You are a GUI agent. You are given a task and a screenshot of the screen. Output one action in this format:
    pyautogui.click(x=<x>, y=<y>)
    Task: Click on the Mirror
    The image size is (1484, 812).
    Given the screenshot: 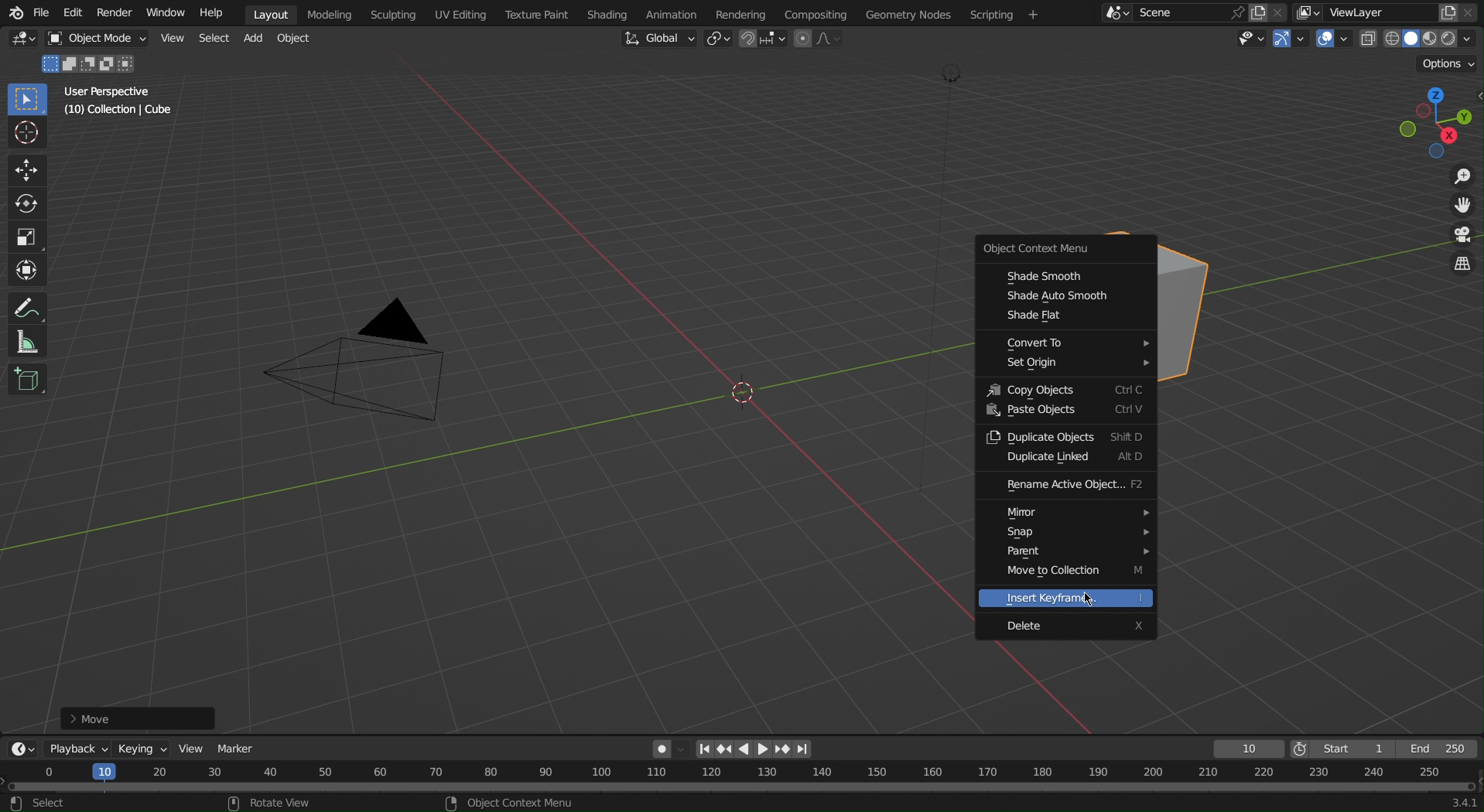 What is the action you would take?
    pyautogui.click(x=1069, y=511)
    